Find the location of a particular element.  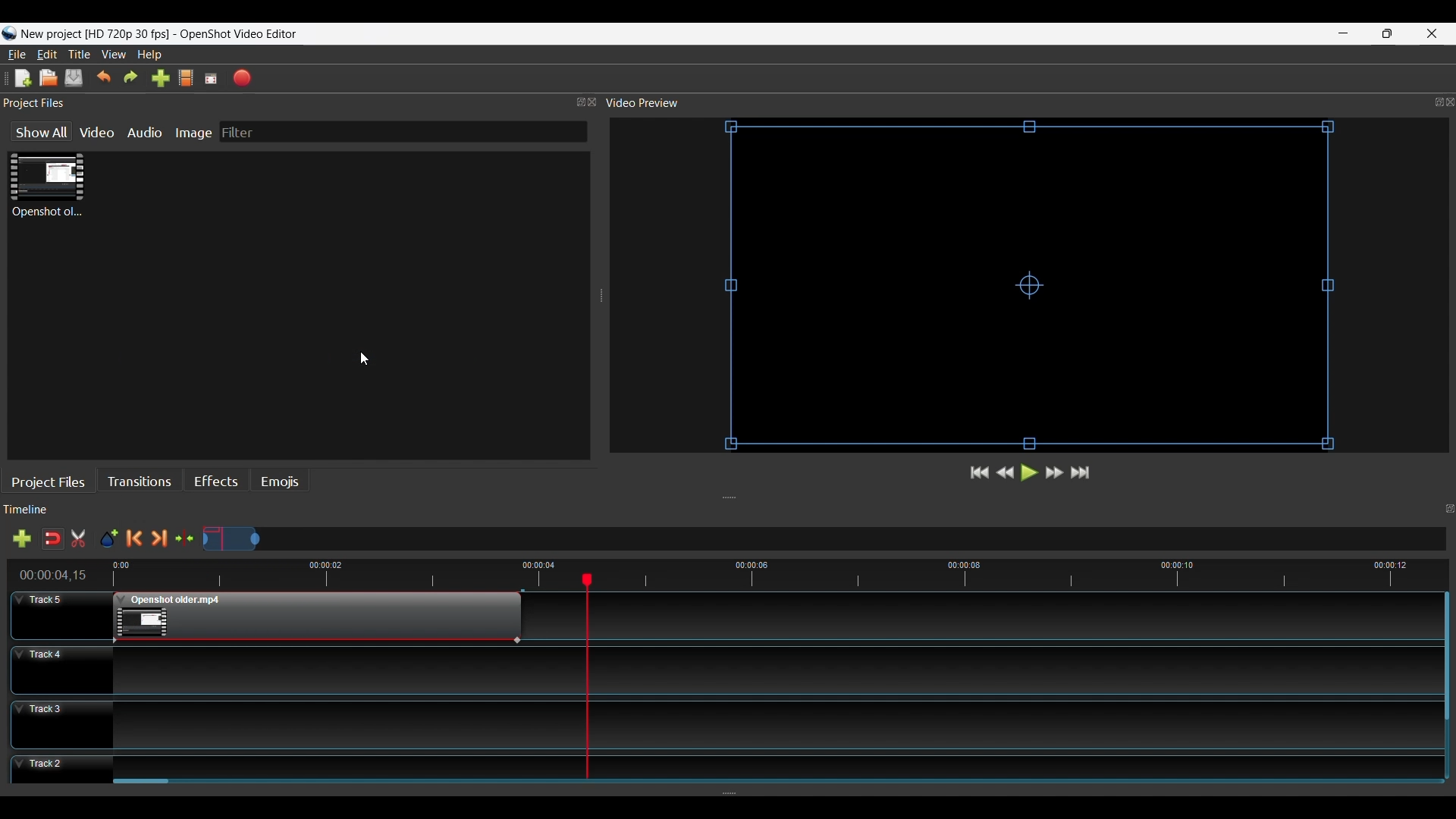

Video is located at coordinates (99, 132).